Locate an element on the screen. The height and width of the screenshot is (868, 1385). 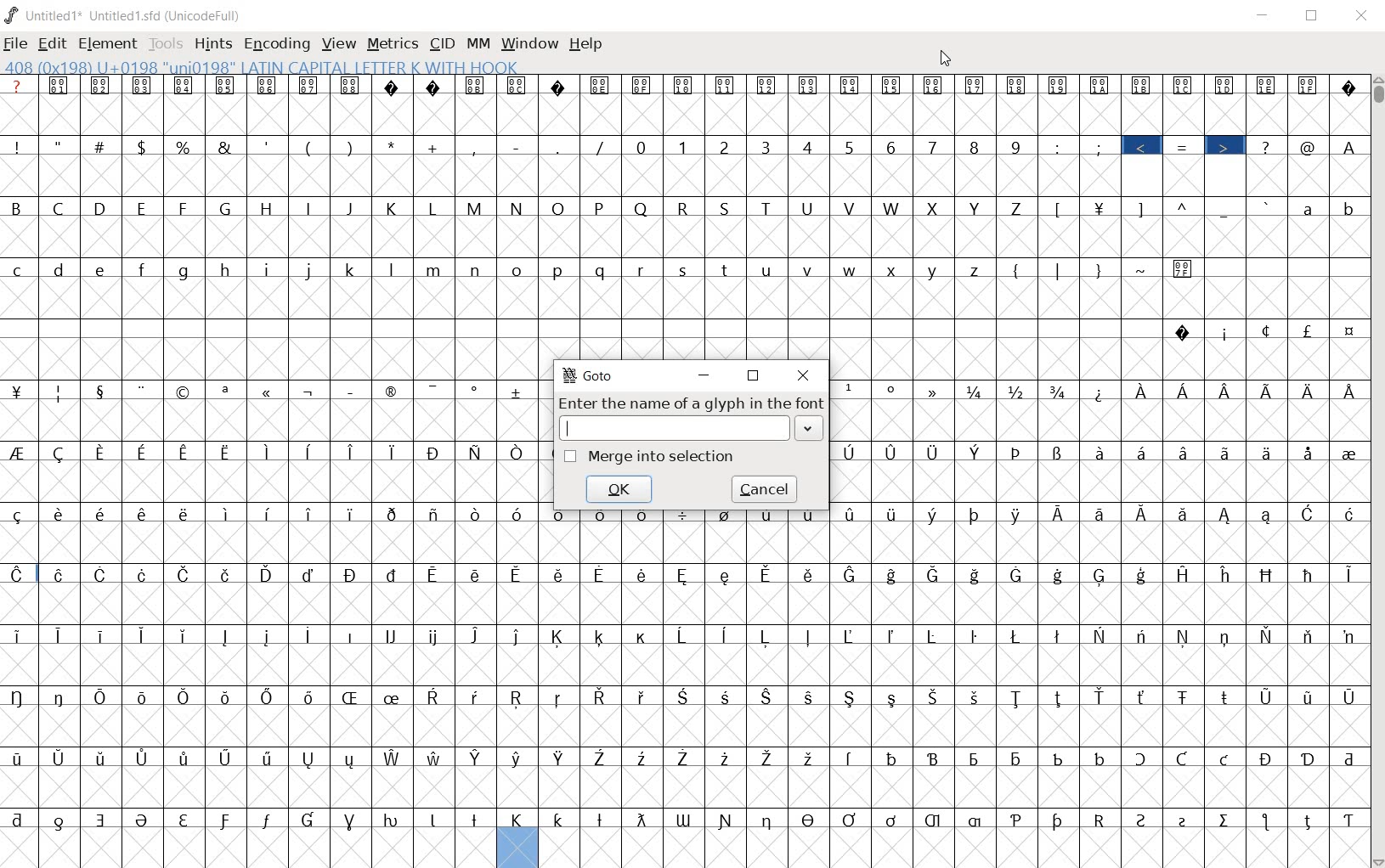
special letters is located at coordinates (684, 696).